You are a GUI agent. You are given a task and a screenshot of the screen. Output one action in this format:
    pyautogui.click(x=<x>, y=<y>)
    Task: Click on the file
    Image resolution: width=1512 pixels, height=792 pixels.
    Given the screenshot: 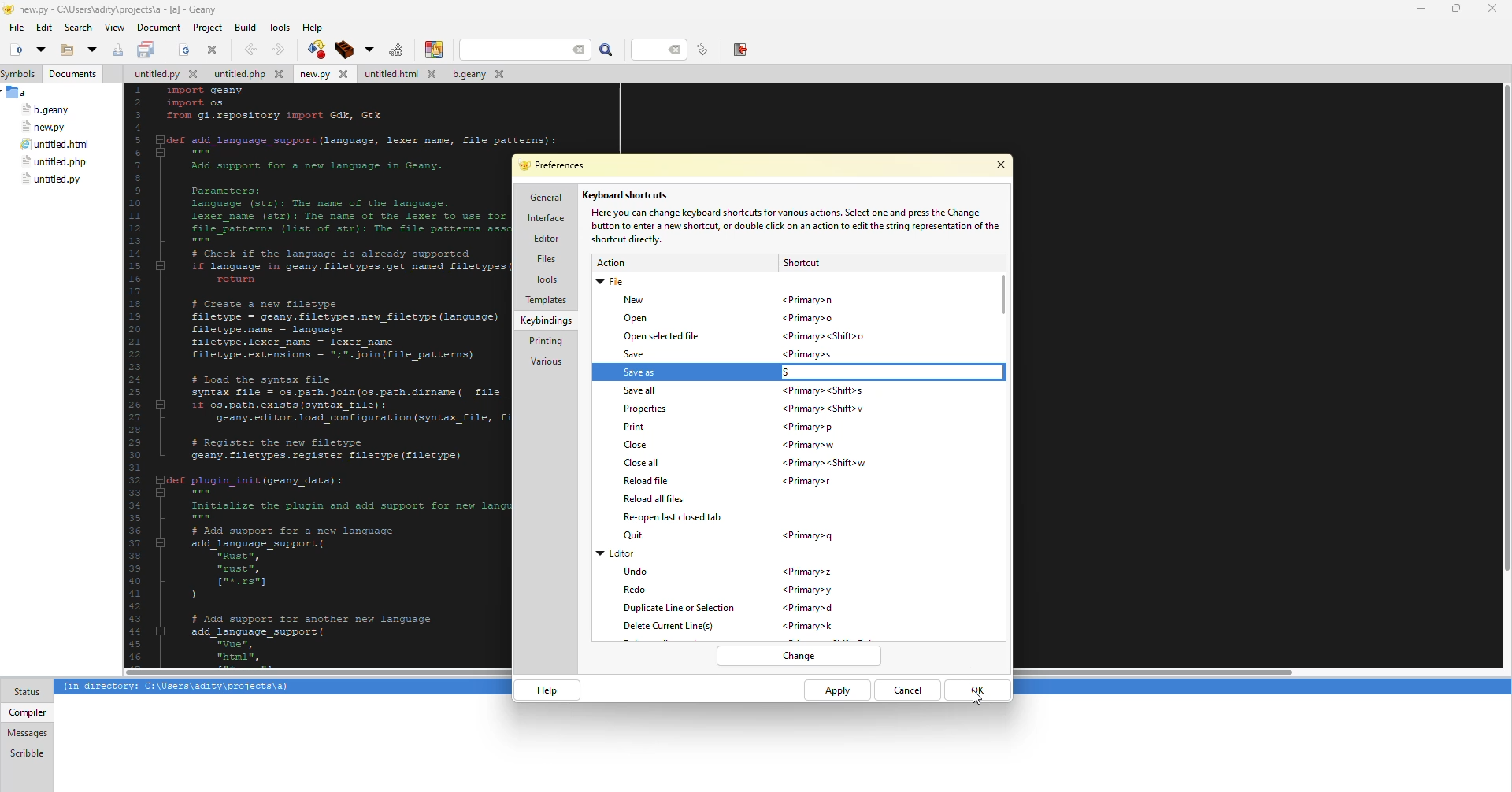 What is the action you would take?
    pyautogui.click(x=46, y=110)
    